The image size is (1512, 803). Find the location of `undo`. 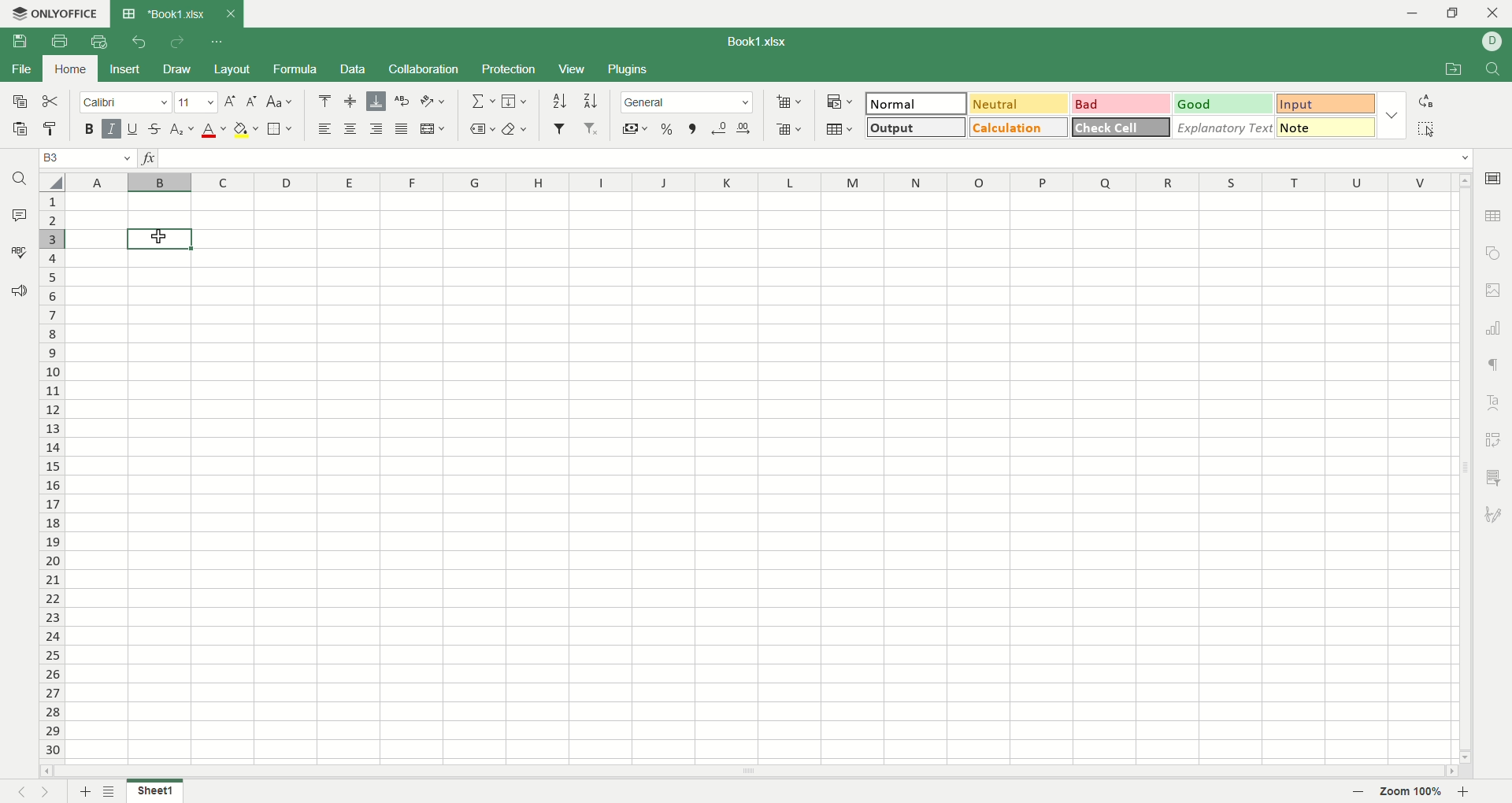

undo is located at coordinates (140, 41).